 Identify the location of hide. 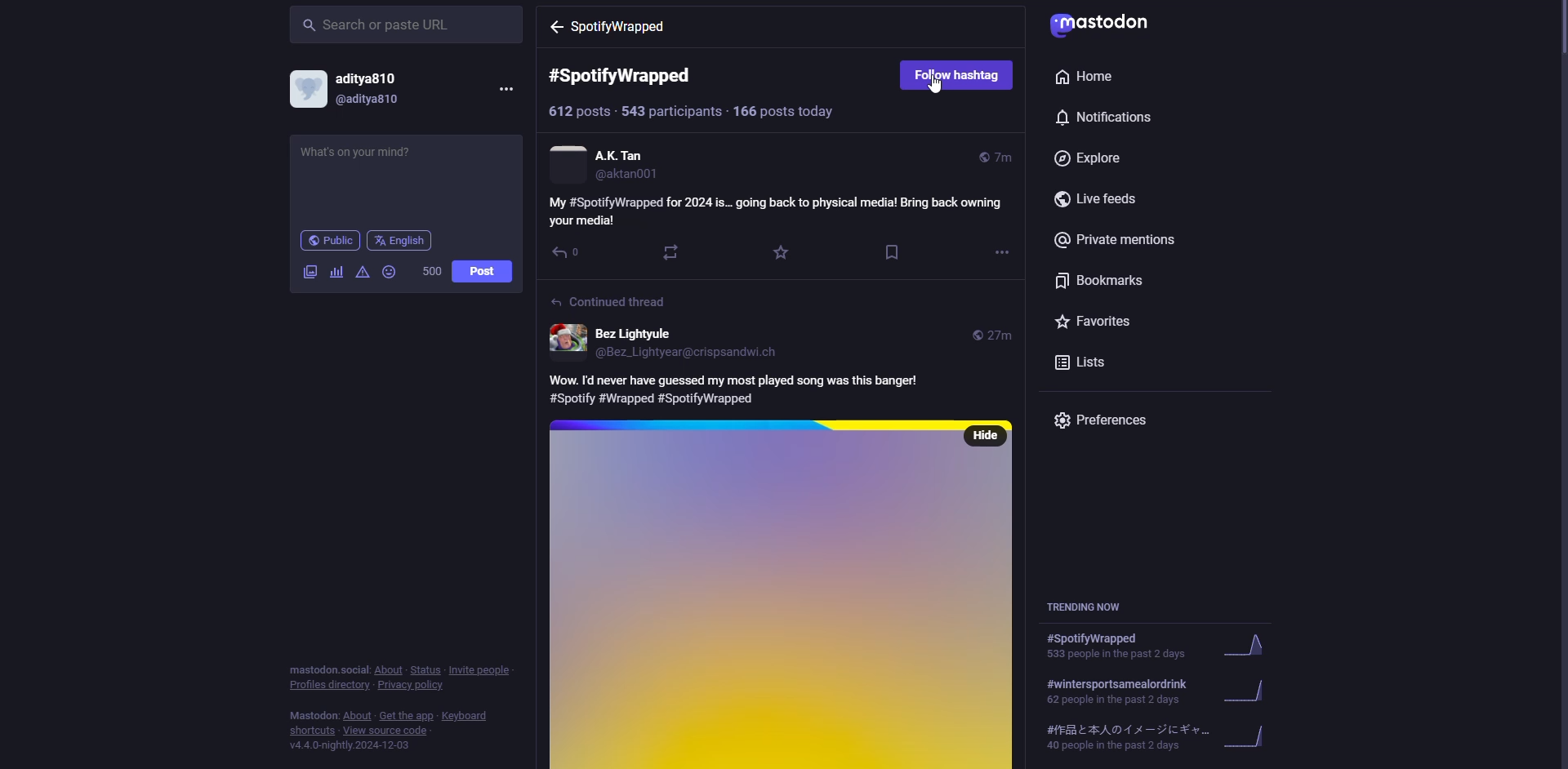
(986, 435).